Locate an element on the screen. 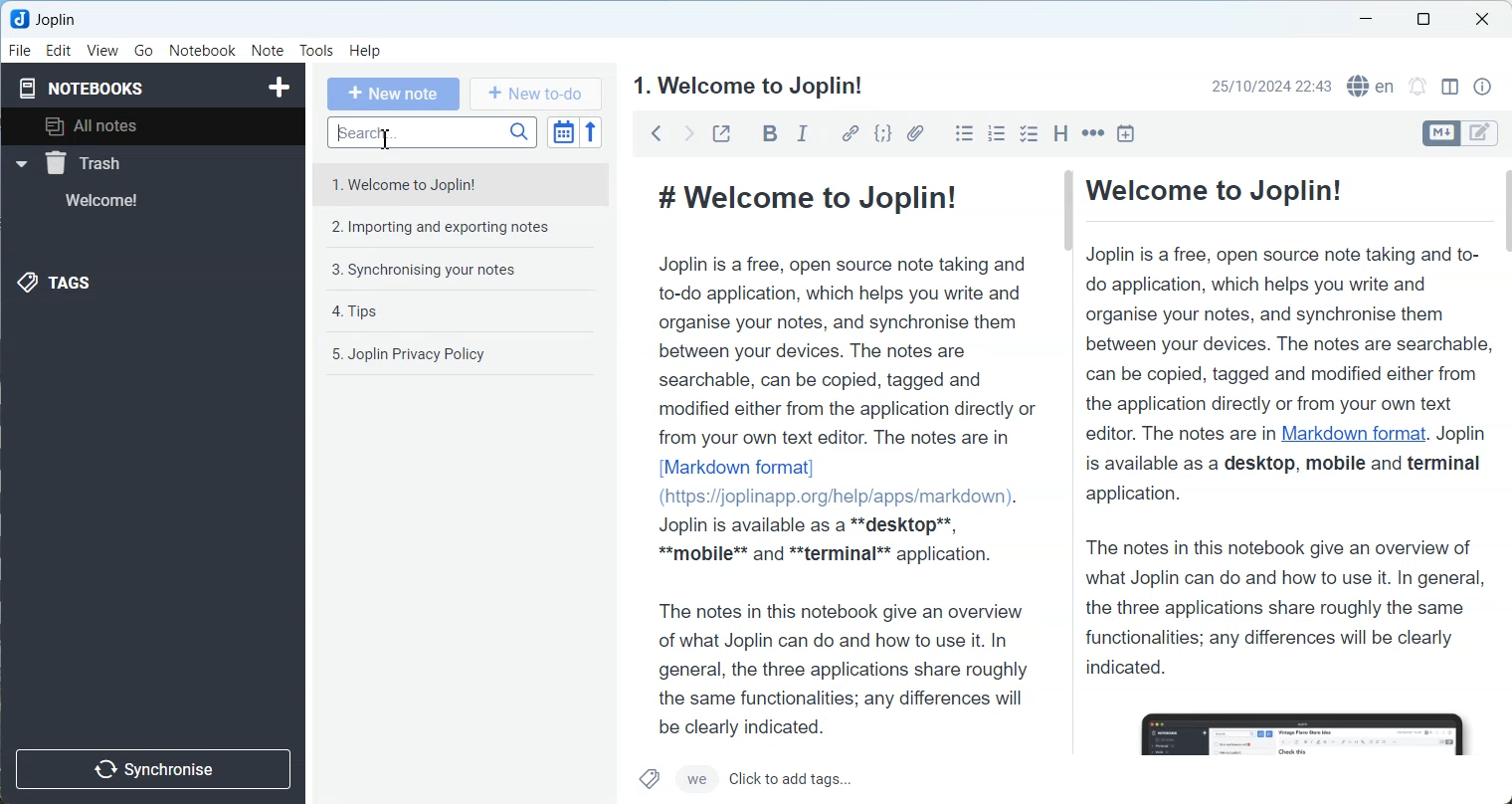 This screenshot has width=1512, height=804. welcome to joplin is located at coordinates (464, 186).